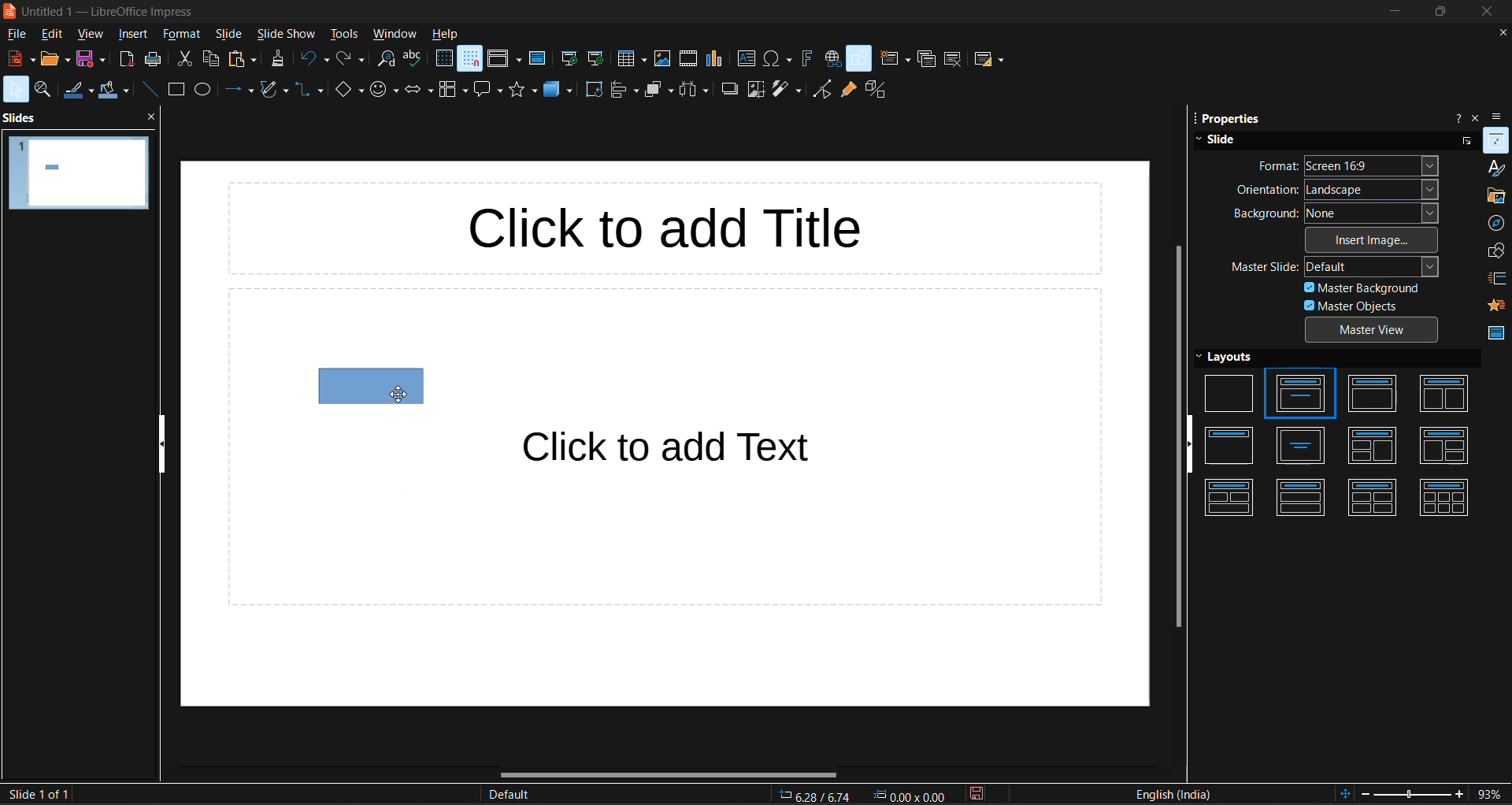 The width and height of the screenshot is (1512, 805). What do you see at coordinates (22, 120) in the screenshot?
I see `slides` at bounding box center [22, 120].